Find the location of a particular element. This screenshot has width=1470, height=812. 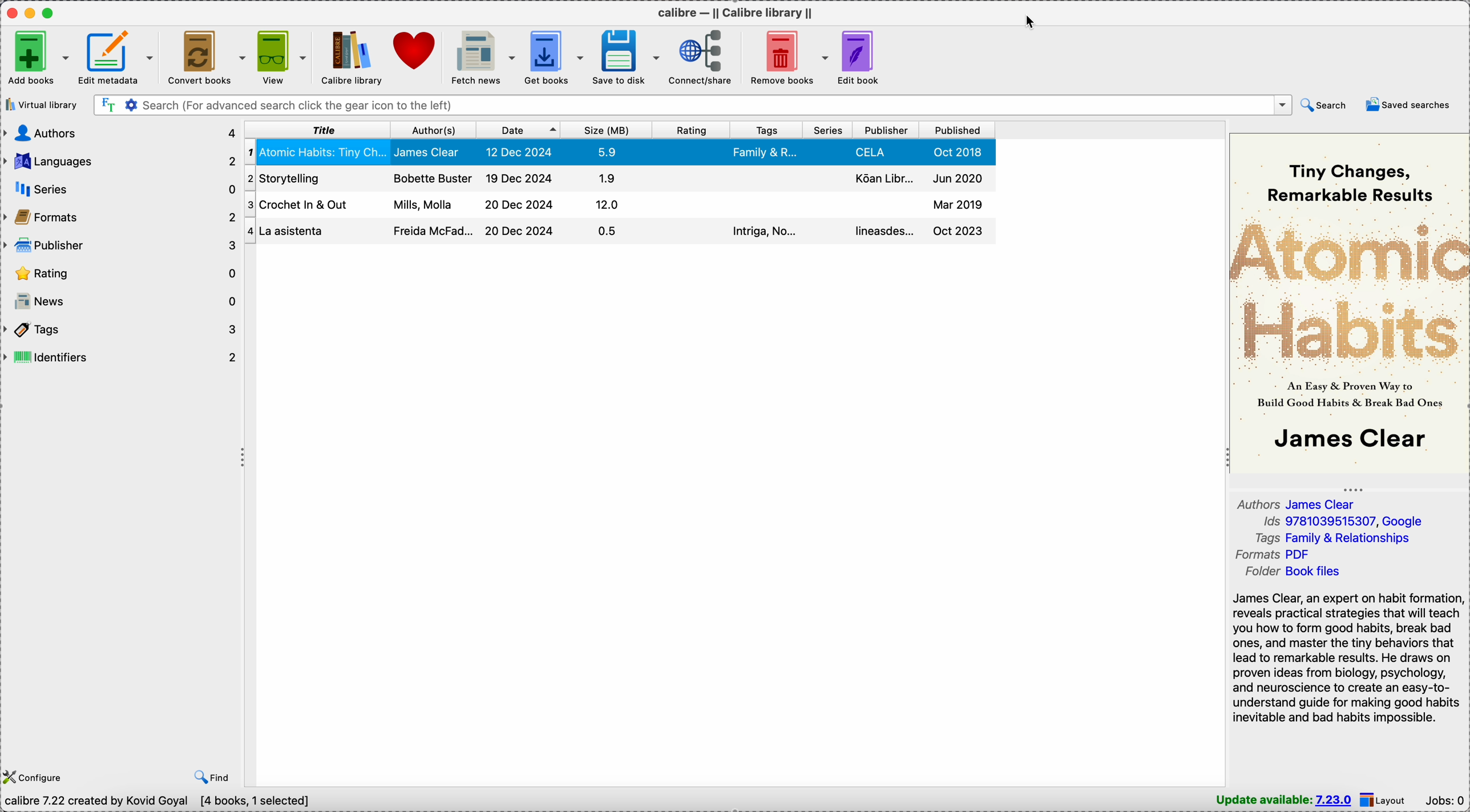

storytellig book details is located at coordinates (616, 232).